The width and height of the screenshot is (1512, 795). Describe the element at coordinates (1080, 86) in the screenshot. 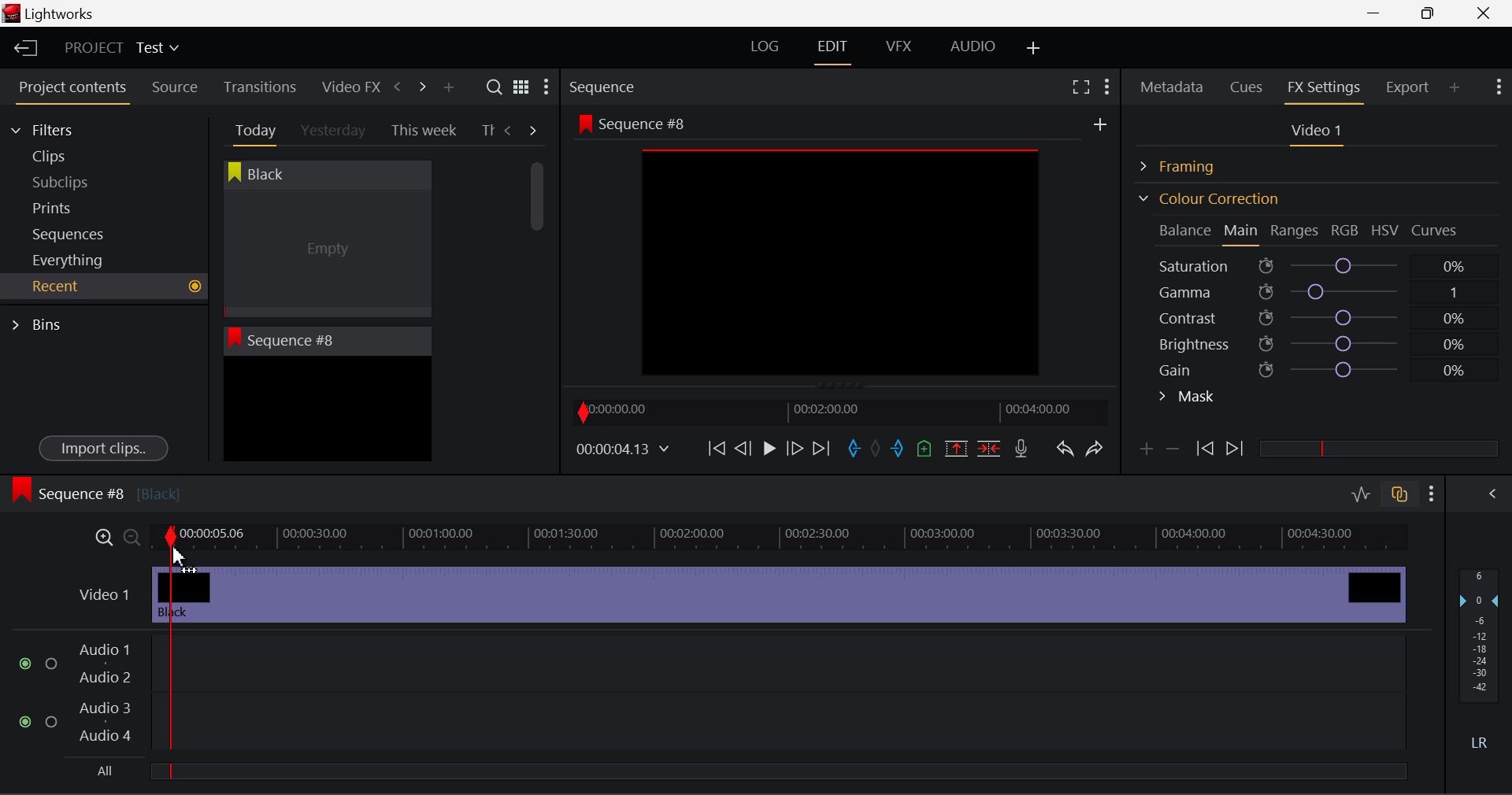

I see `Full Screen` at that location.